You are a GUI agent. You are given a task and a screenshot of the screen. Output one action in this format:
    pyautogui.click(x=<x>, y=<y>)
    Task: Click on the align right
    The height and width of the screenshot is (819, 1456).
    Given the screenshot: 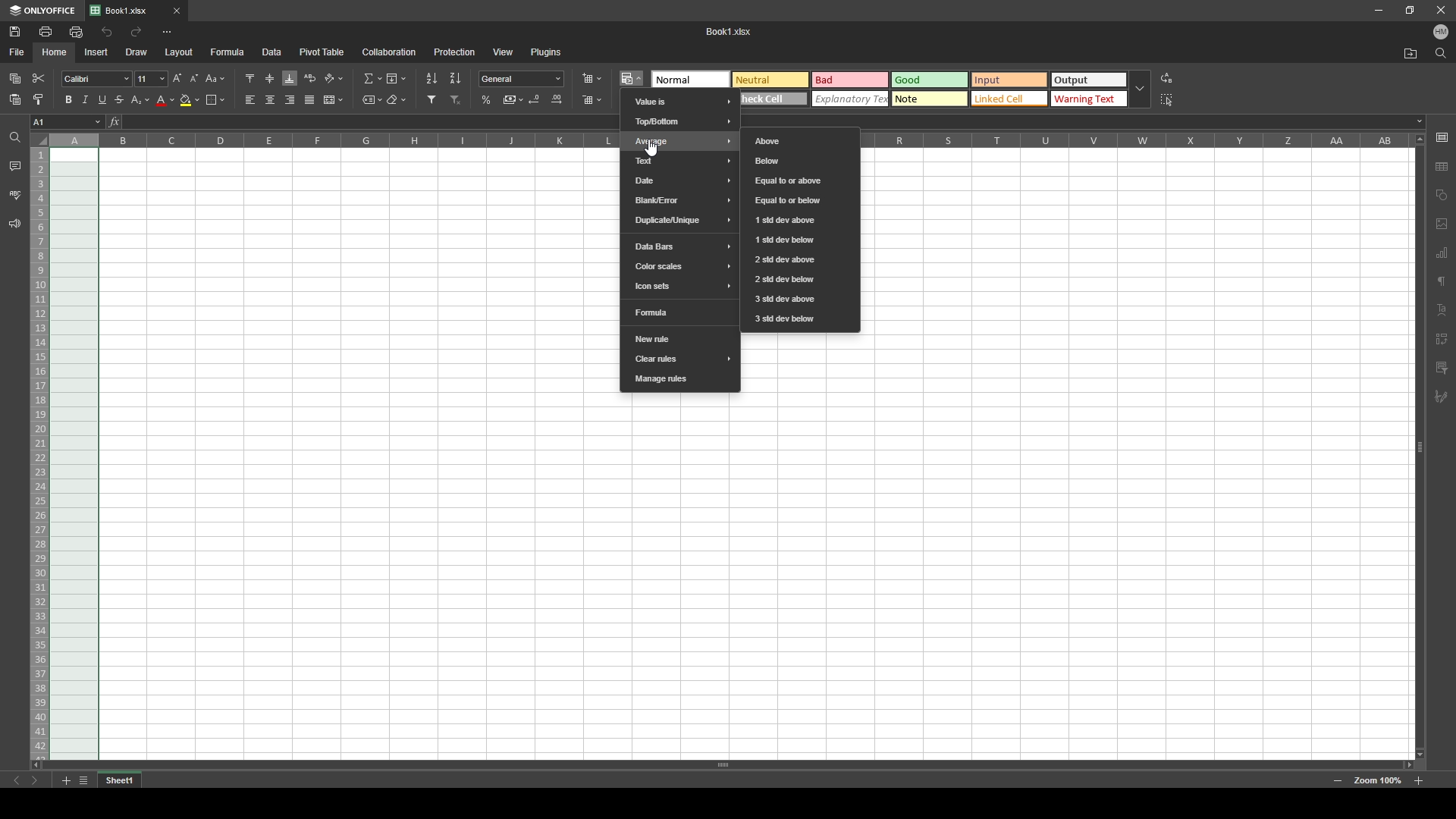 What is the action you would take?
    pyautogui.click(x=290, y=100)
    